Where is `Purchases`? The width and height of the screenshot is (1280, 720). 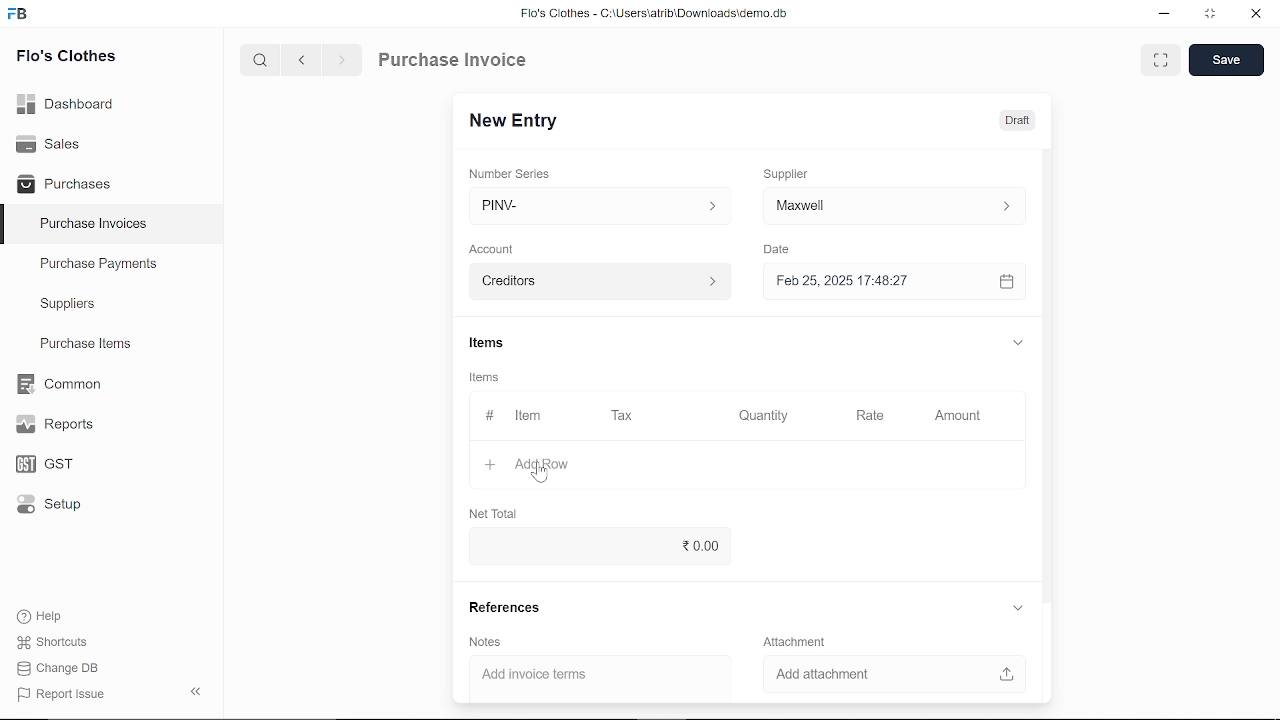 Purchases is located at coordinates (64, 182).